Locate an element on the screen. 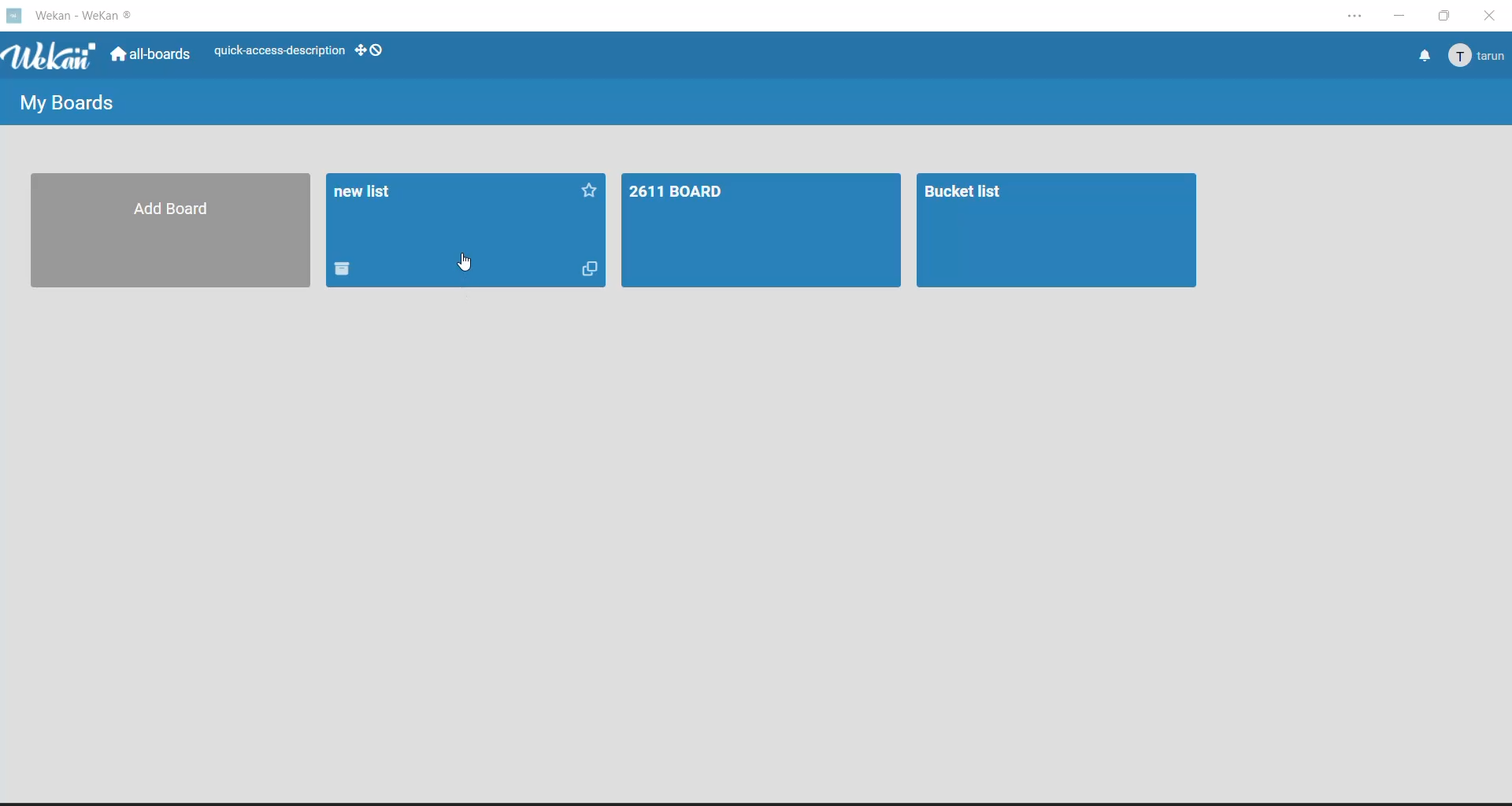 This screenshot has width=1512, height=806. app logo Wekan is located at coordinates (52, 57).